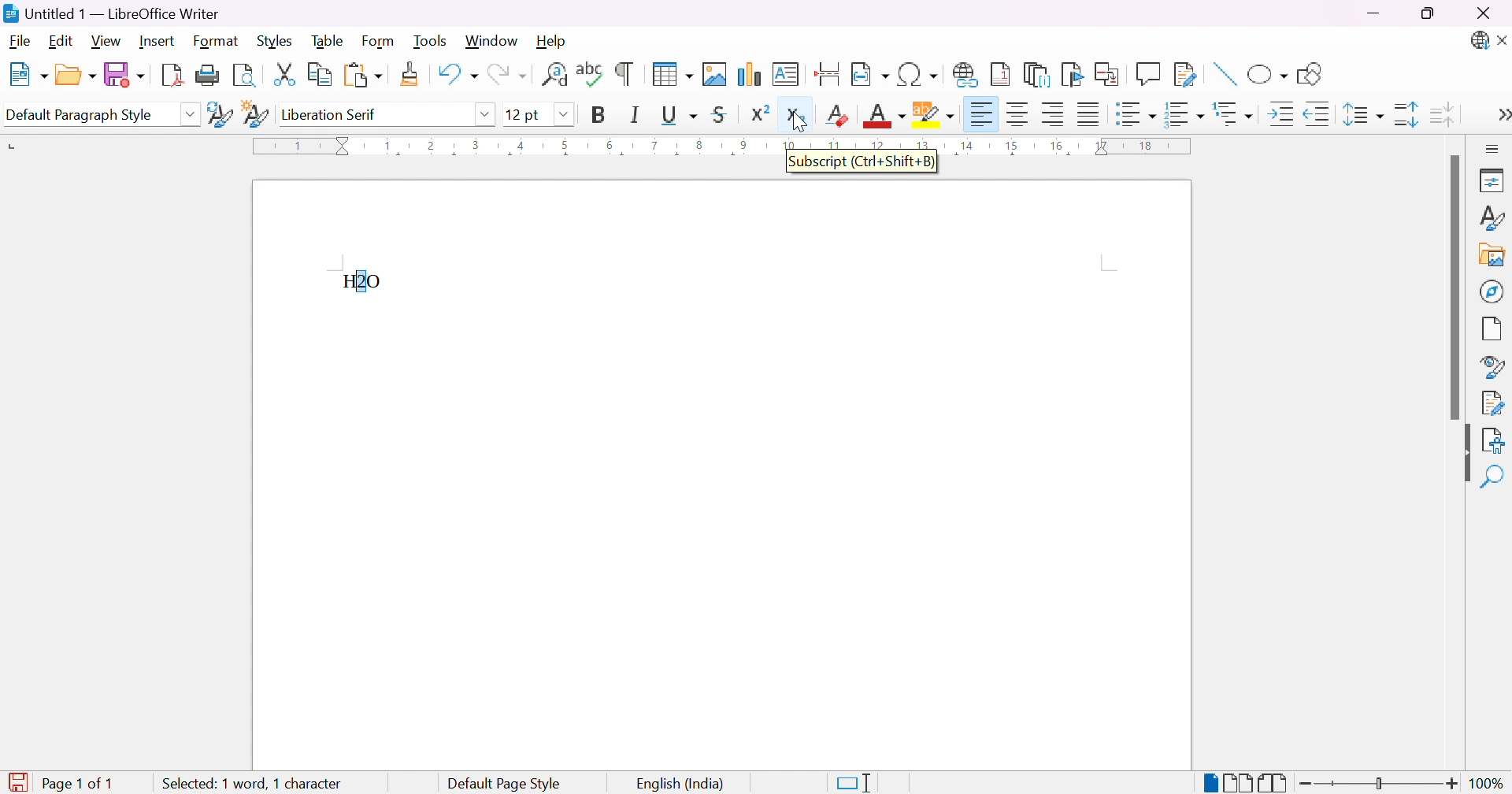 The height and width of the screenshot is (794, 1512). Describe the element at coordinates (258, 116) in the screenshot. I see `New style from selection` at that location.